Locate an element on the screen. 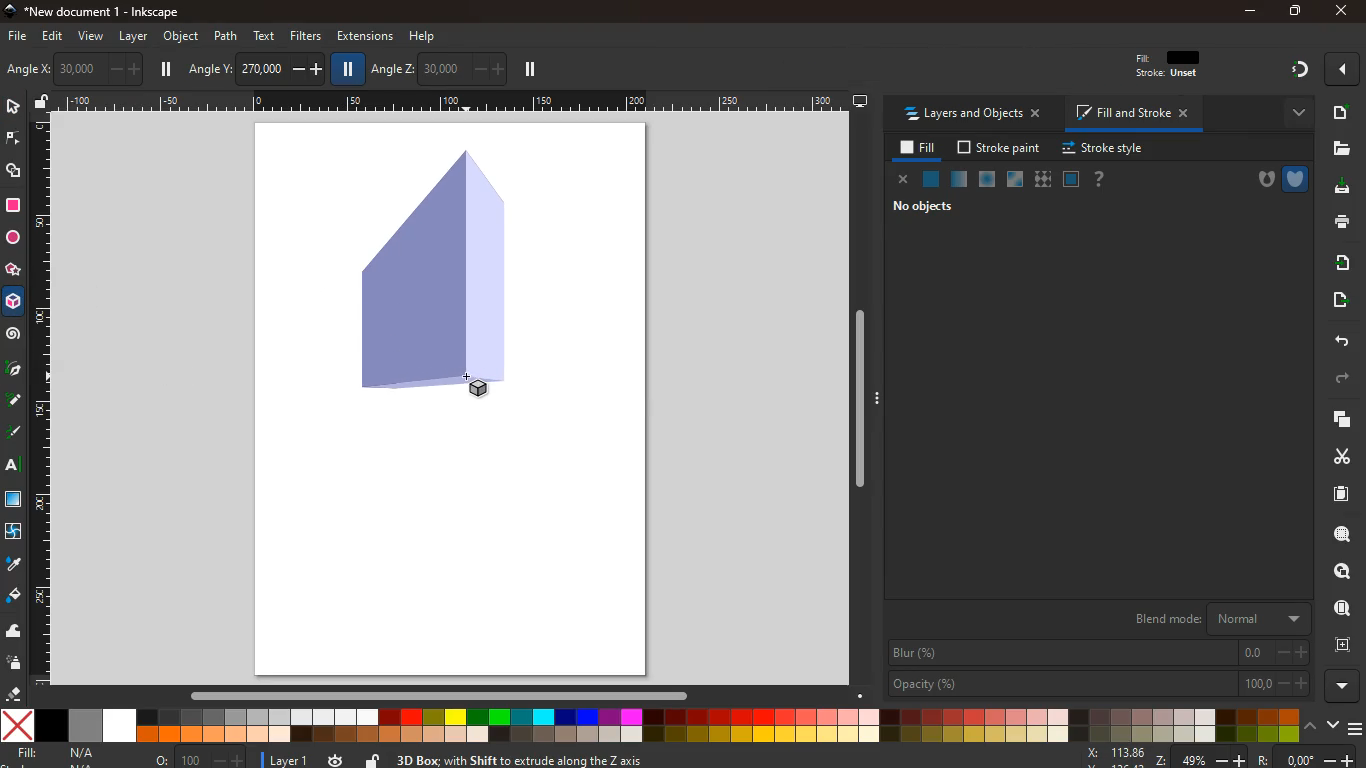  pause is located at coordinates (168, 69).